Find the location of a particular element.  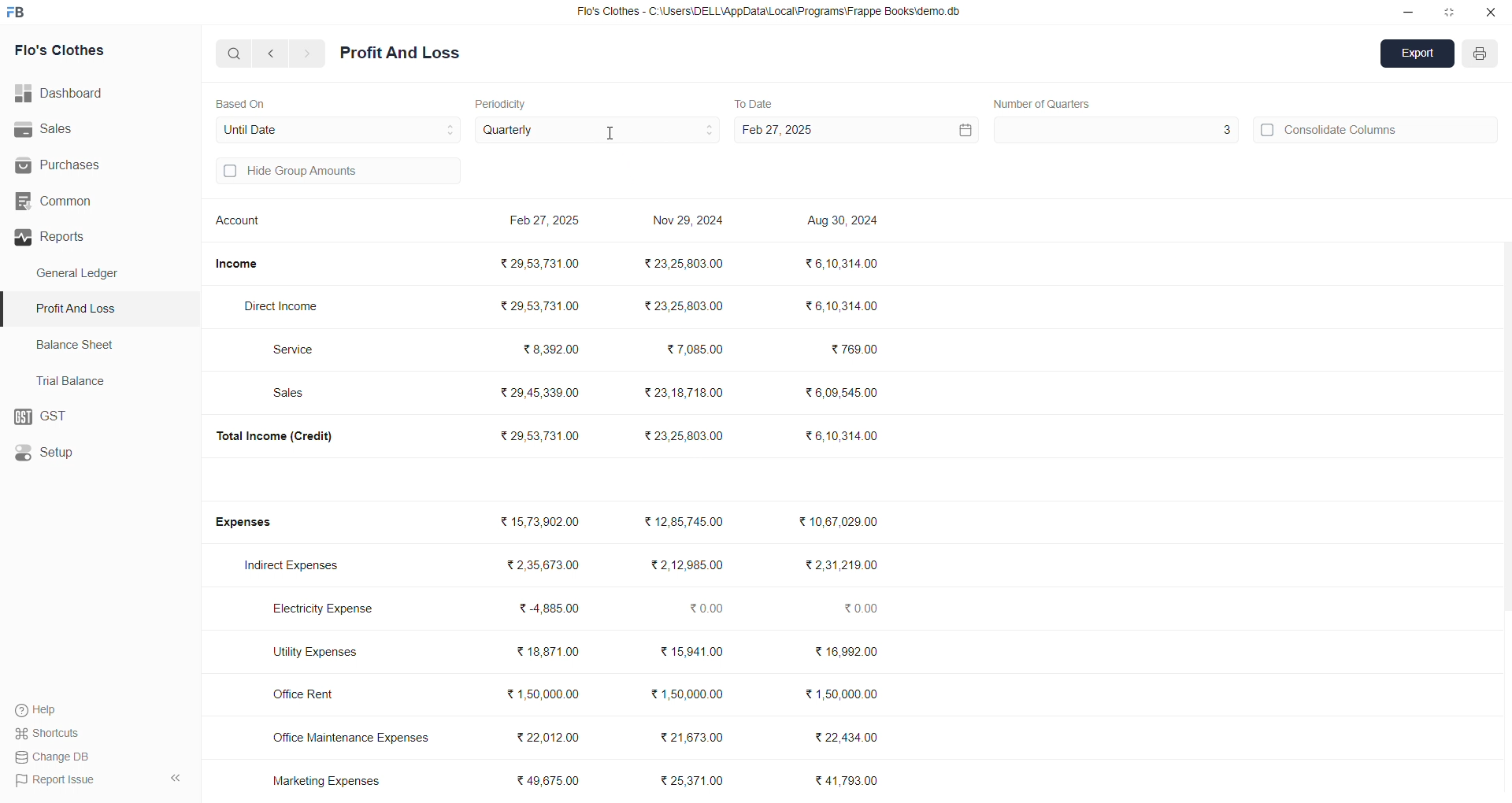

To Date is located at coordinates (753, 102).